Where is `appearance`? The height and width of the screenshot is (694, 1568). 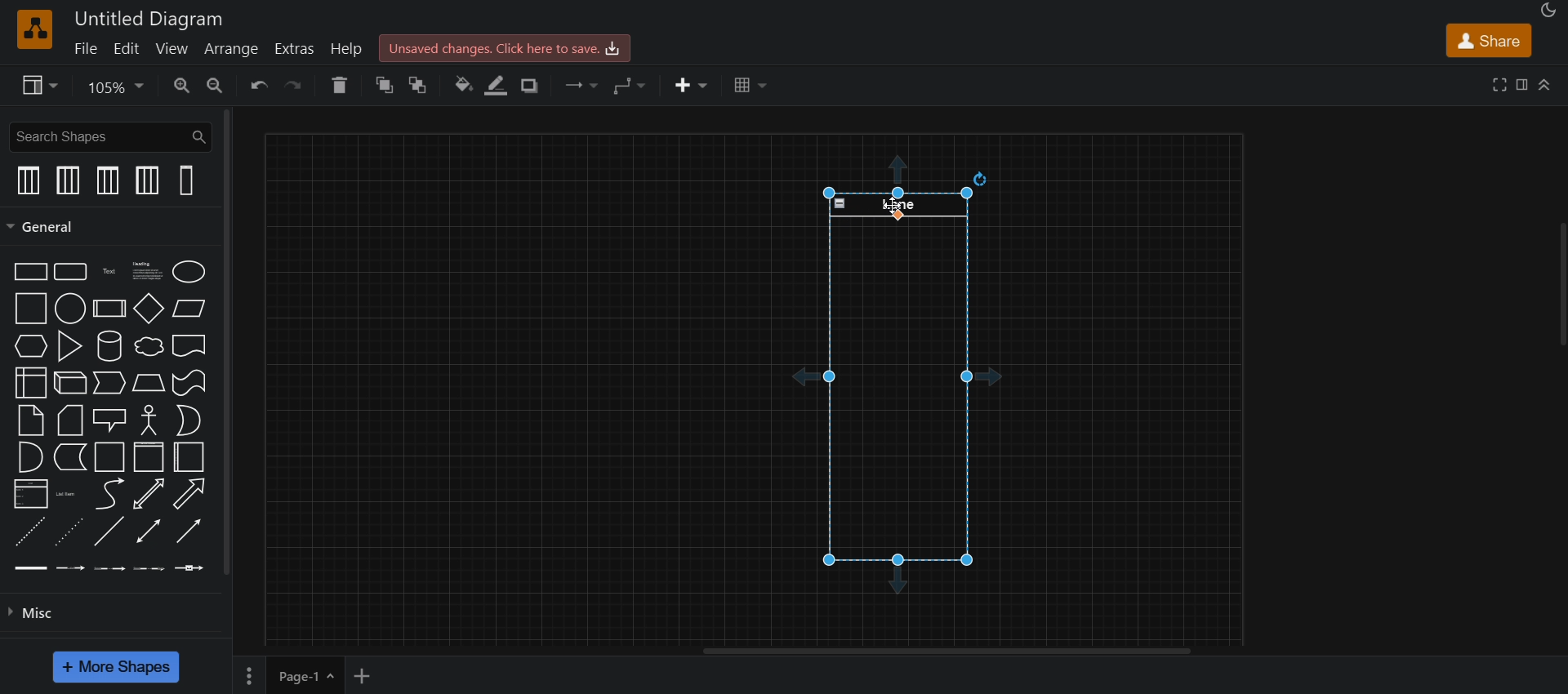
appearance is located at coordinates (1547, 11).